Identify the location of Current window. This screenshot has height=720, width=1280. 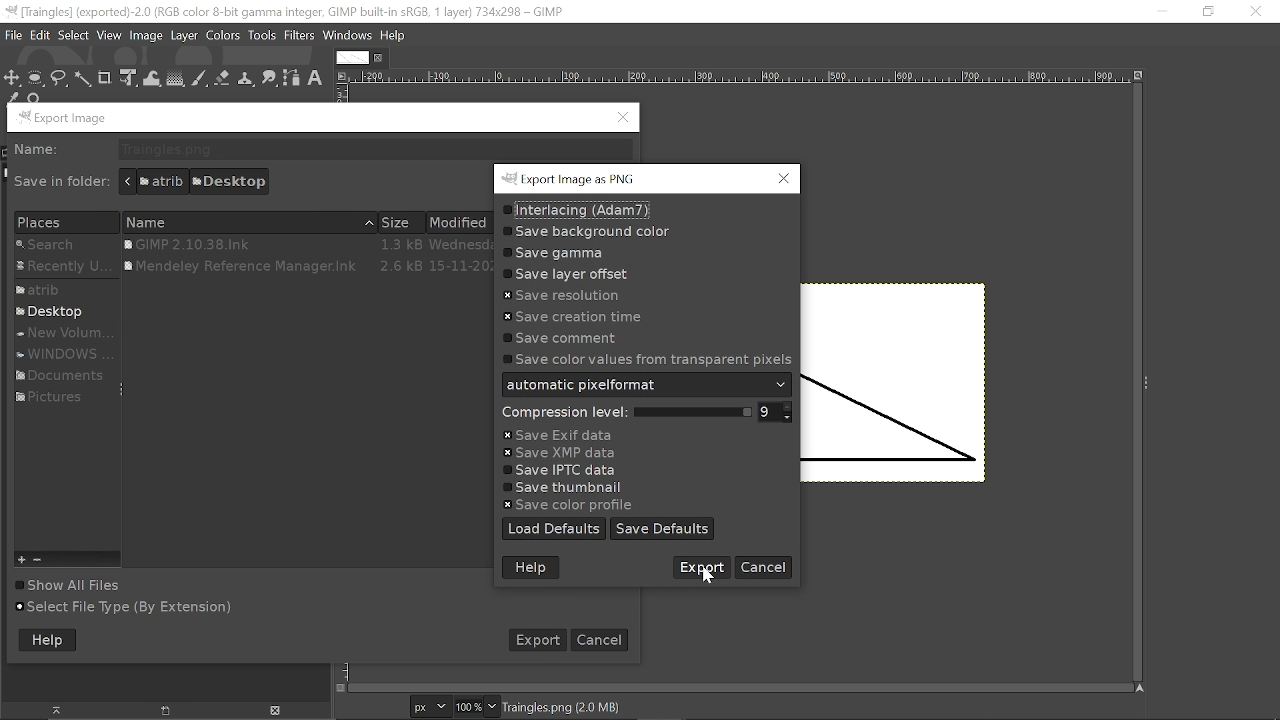
(287, 11).